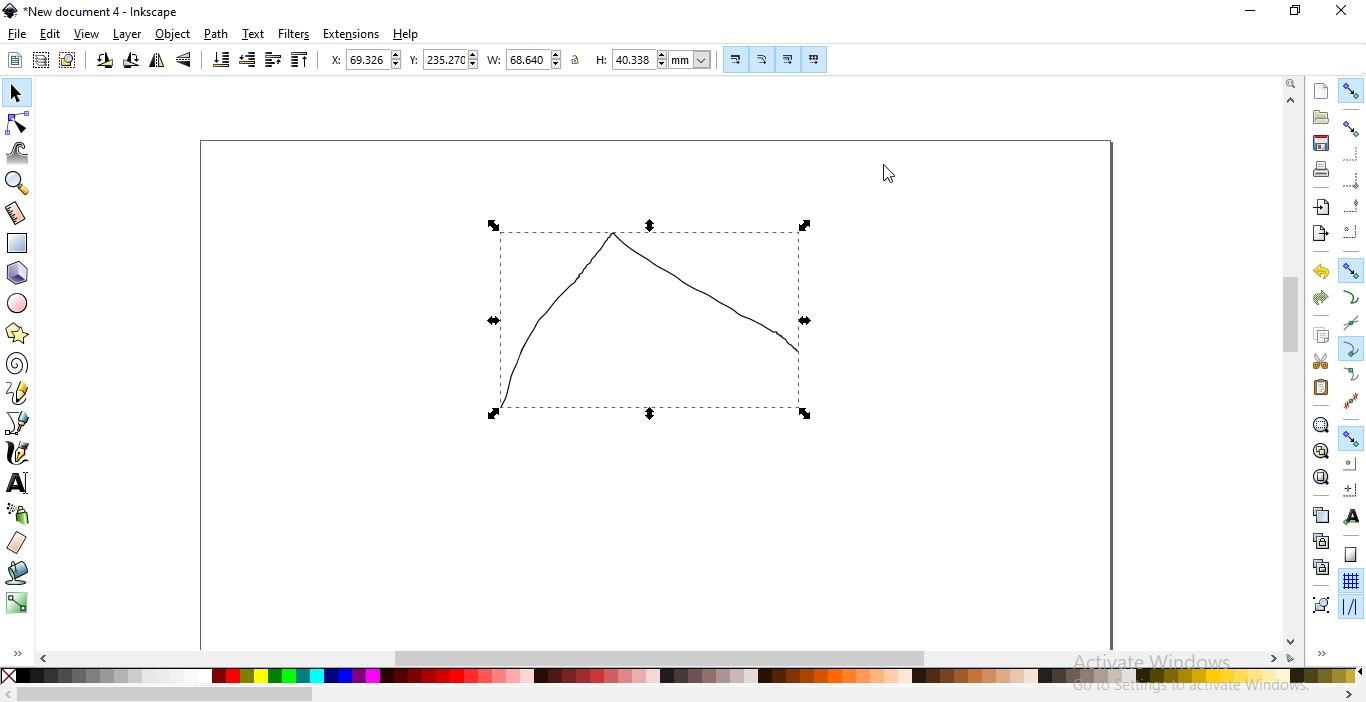 The width and height of the screenshot is (1366, 702). What do you see at coordinates (1293, 317) in the screenshot?
I see `scrollbar` at bounding box center [1293, 317].